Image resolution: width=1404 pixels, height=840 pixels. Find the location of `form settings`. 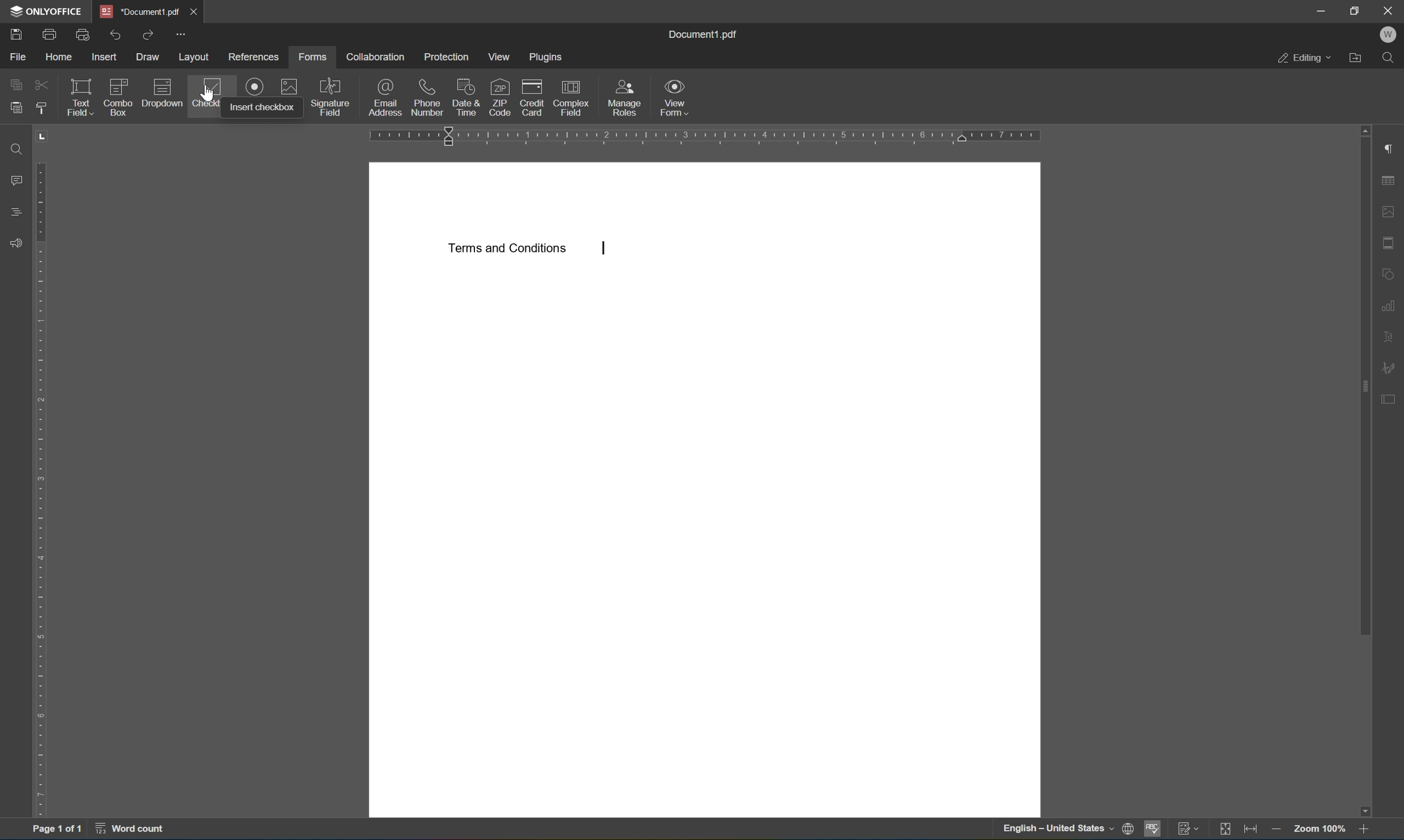

form settings is located at coordinates (1388, 402).